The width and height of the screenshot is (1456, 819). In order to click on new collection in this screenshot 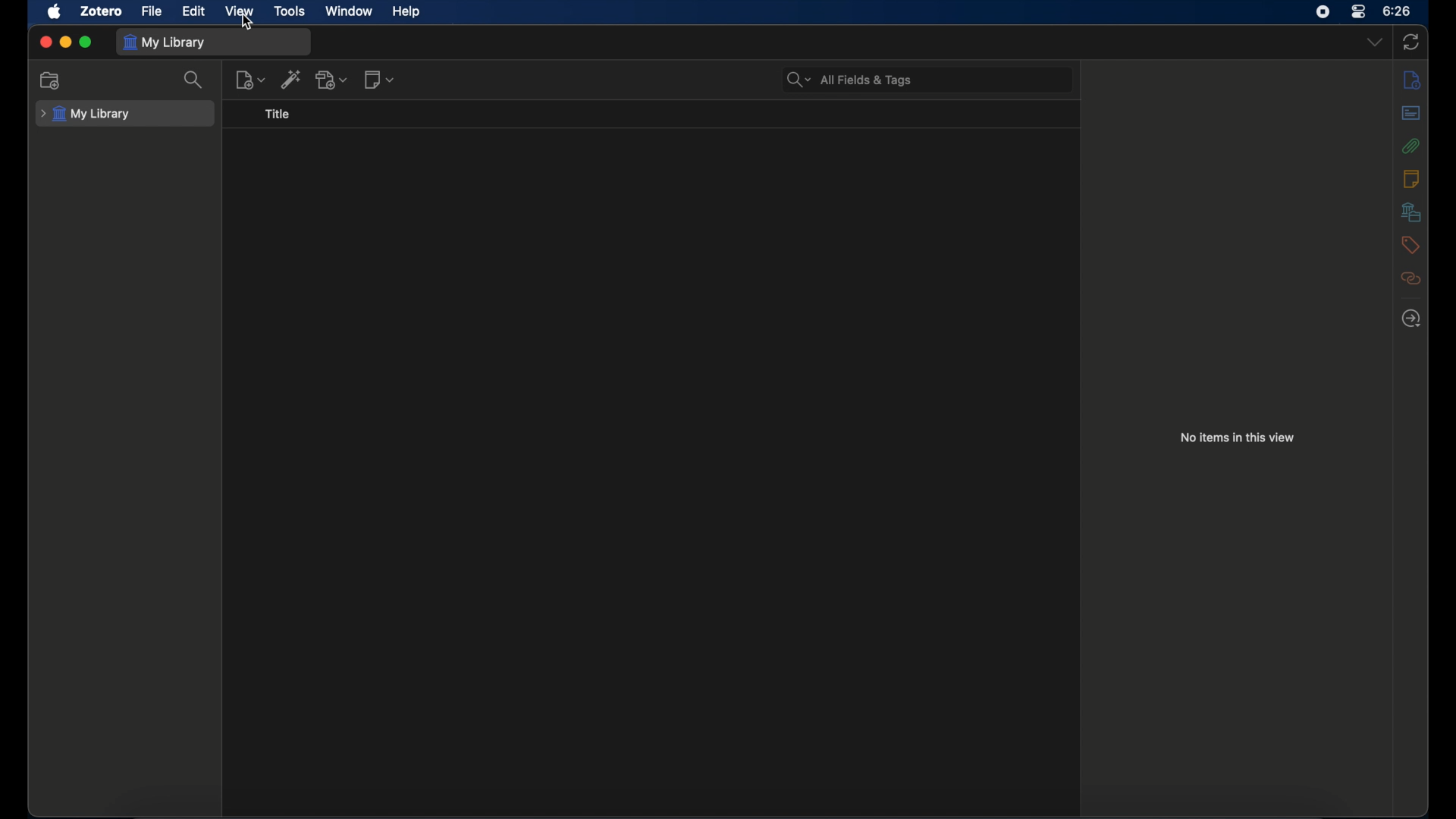, I will do `click(49, 81)`.